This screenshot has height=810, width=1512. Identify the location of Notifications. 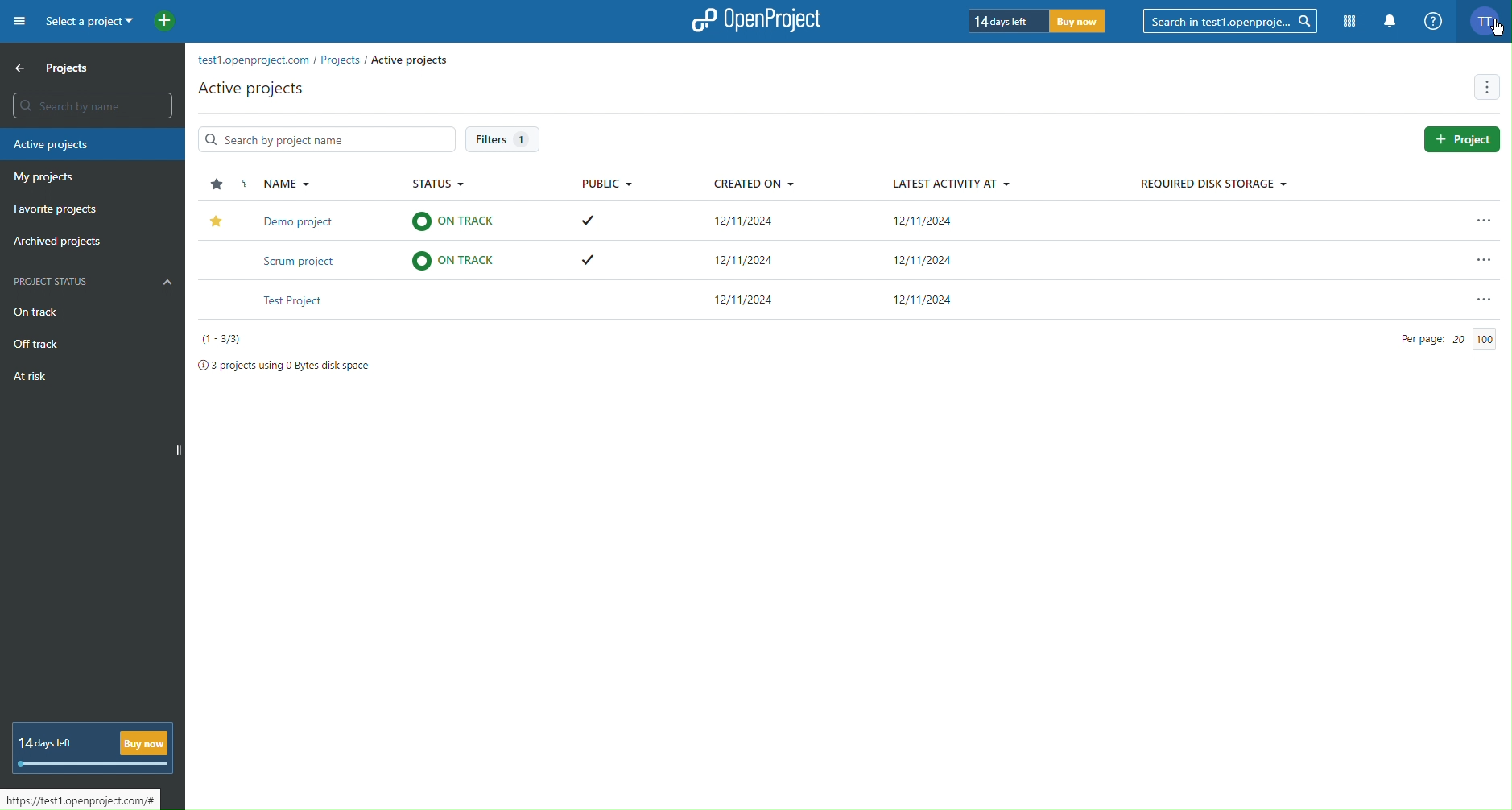
(1390, 22).